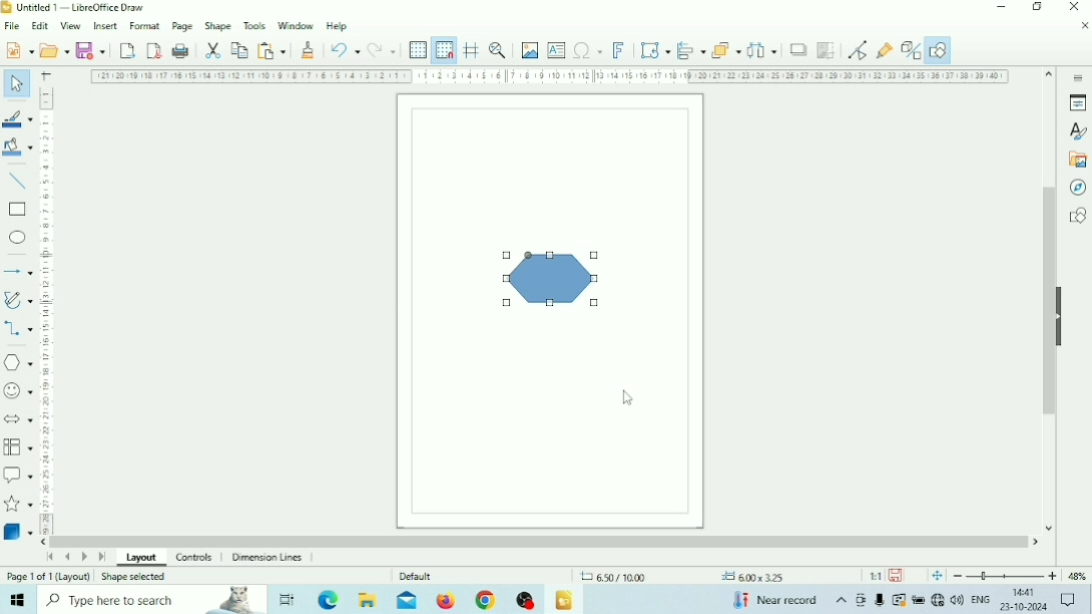  Describe the element at coordinates (1077, 132) in the screenshot. I see `Styles` at that location.